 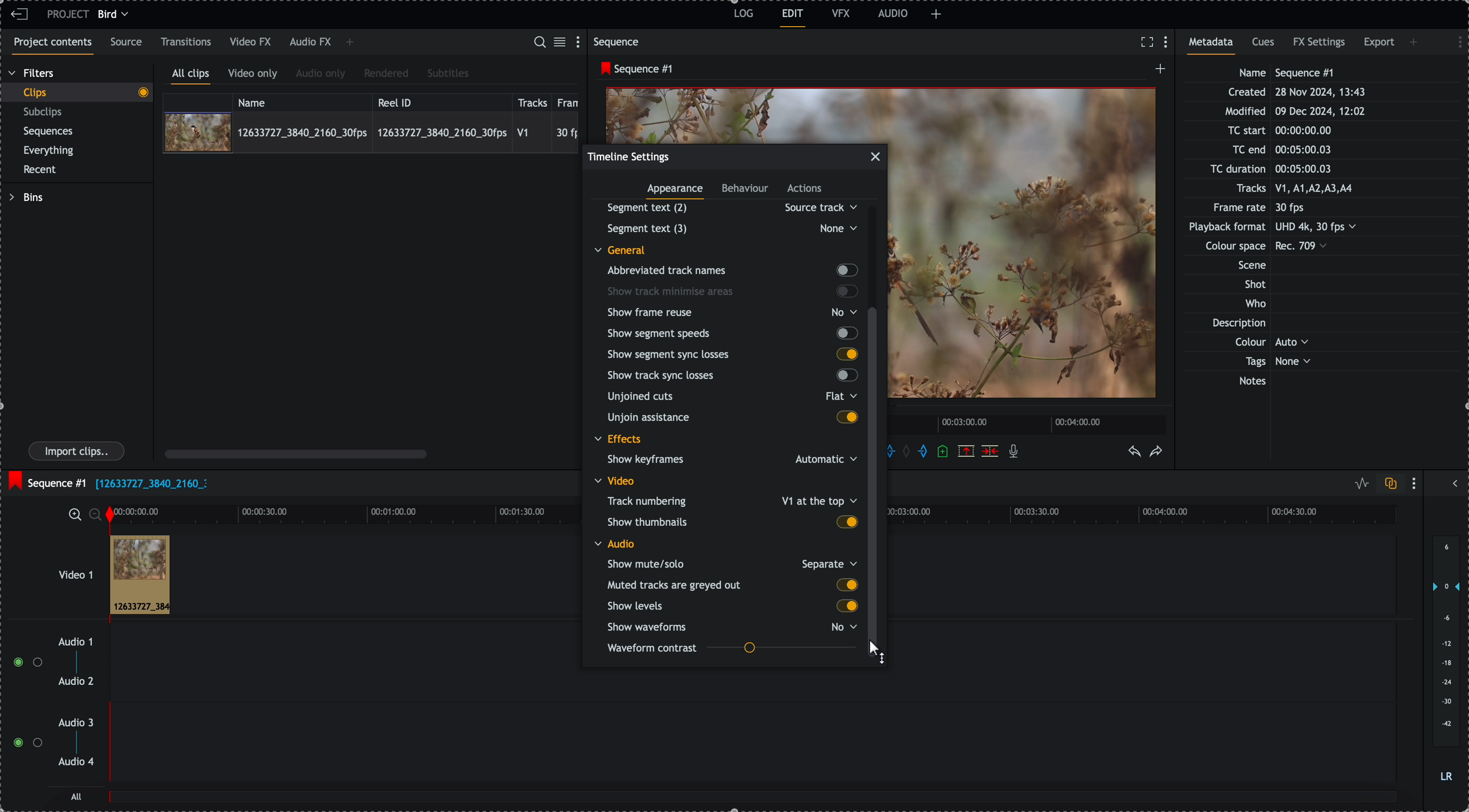 I want to click on leave, so click(x=19, y=15).